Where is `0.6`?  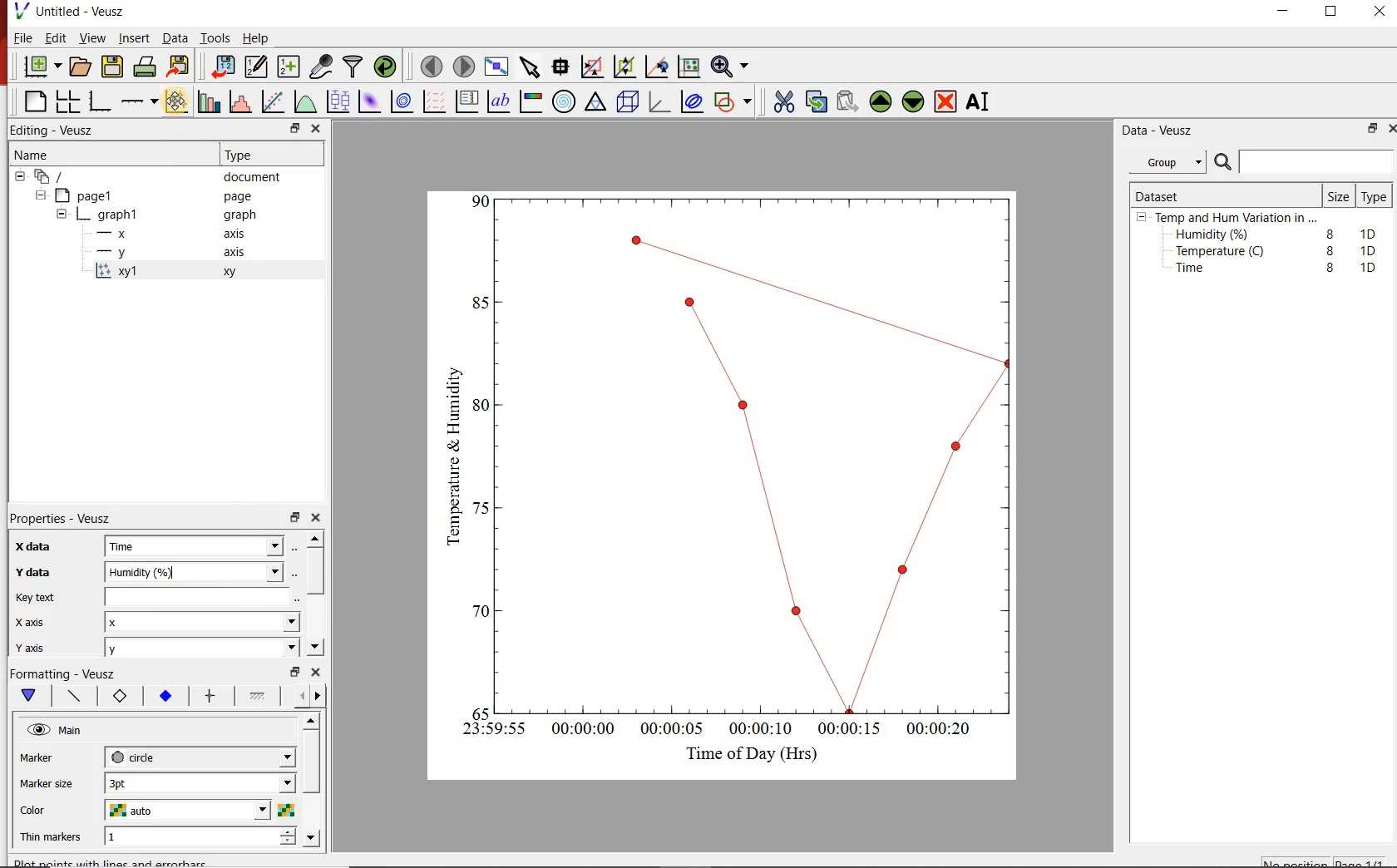
0.6 is located at coordinates (481, 409).